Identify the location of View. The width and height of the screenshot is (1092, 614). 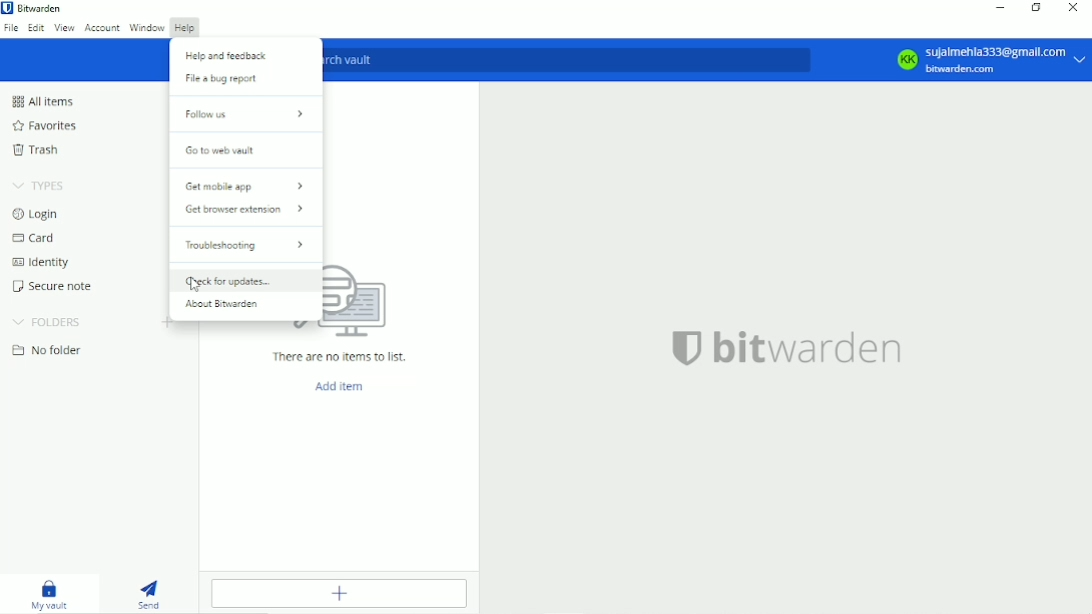
(66, 29).